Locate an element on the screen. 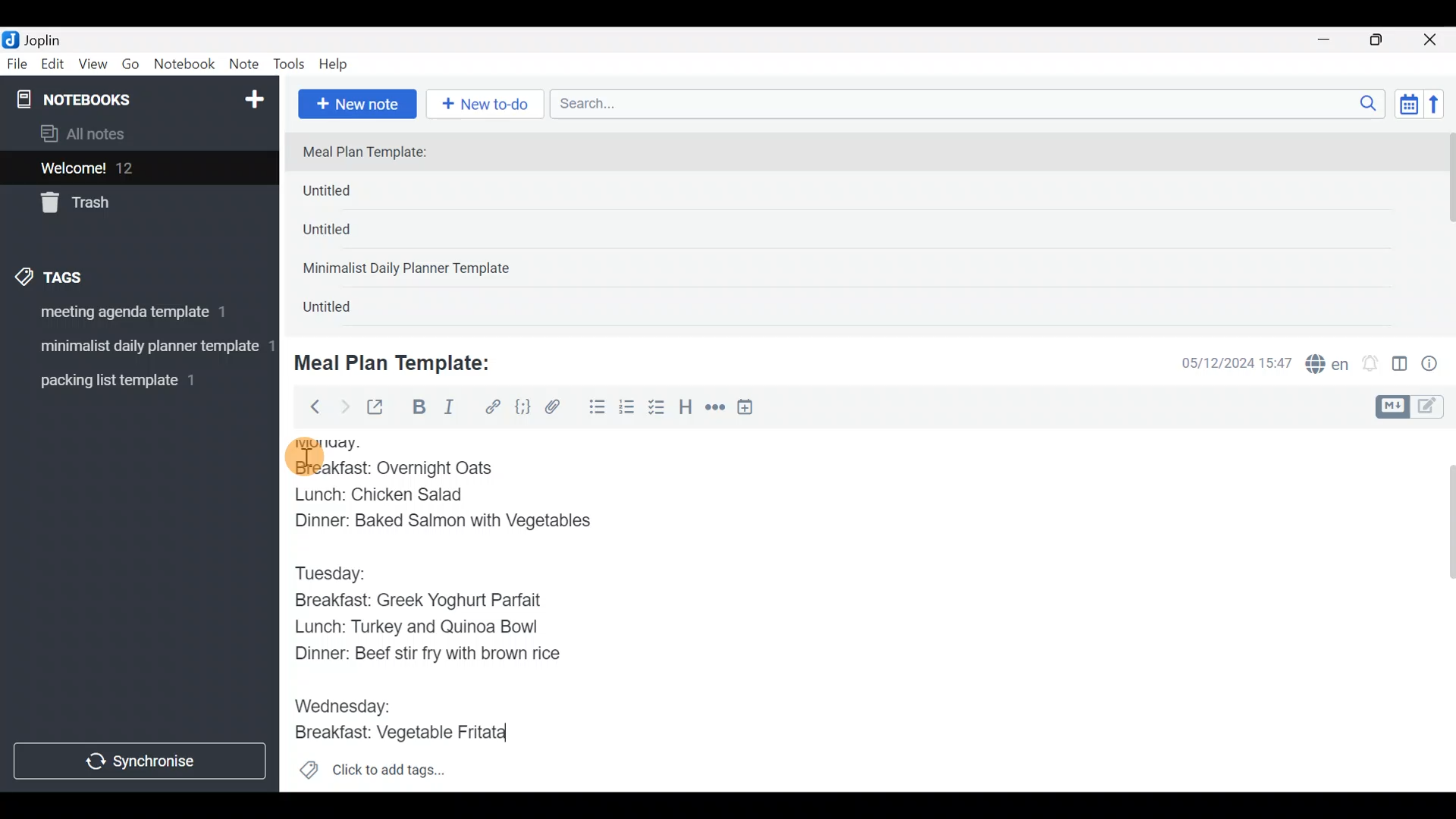 Image resolution: width=1456 pixels, height=819 pixels. Checkbox is located at coordinates (658, 409).